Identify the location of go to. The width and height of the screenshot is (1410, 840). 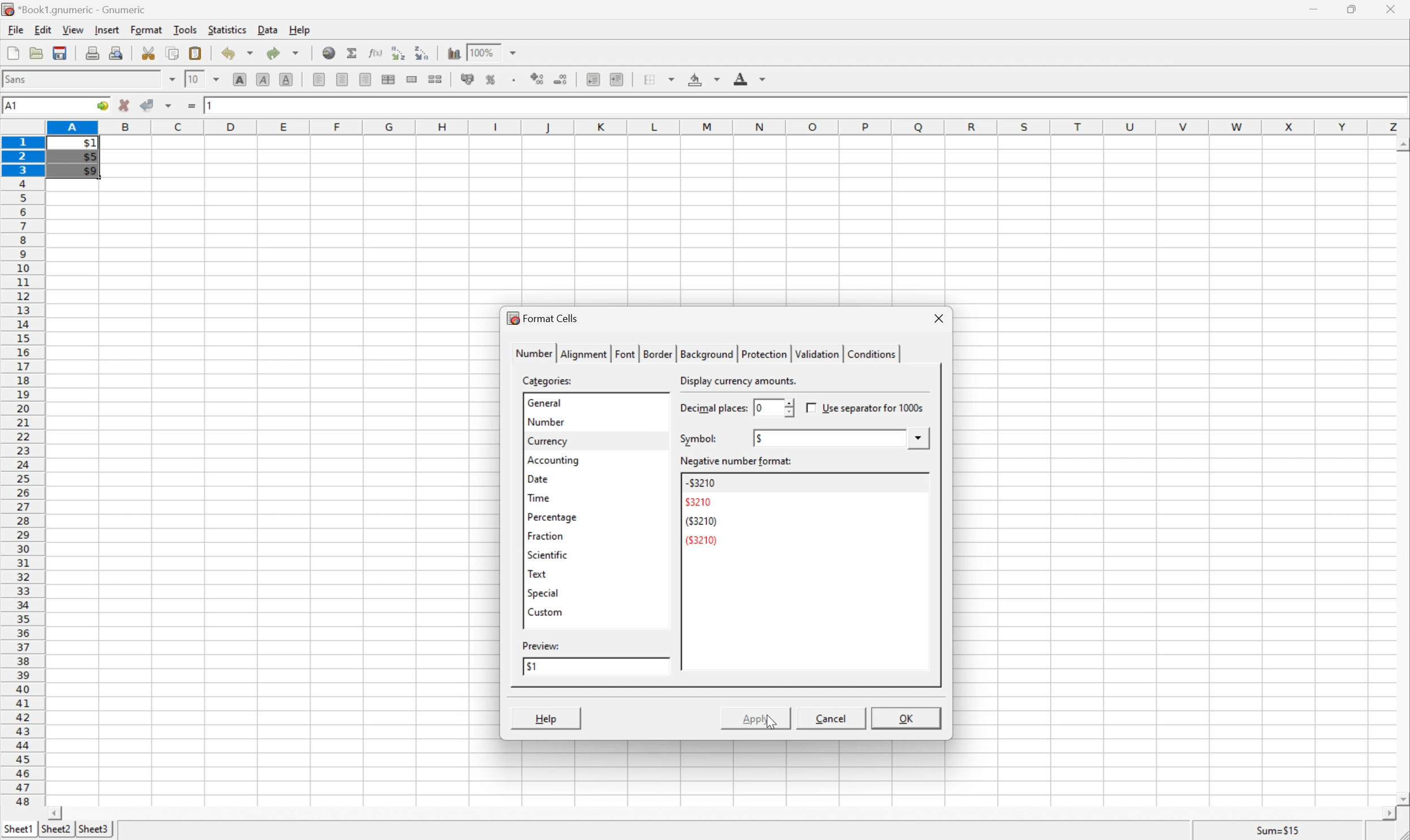
(102, 106).